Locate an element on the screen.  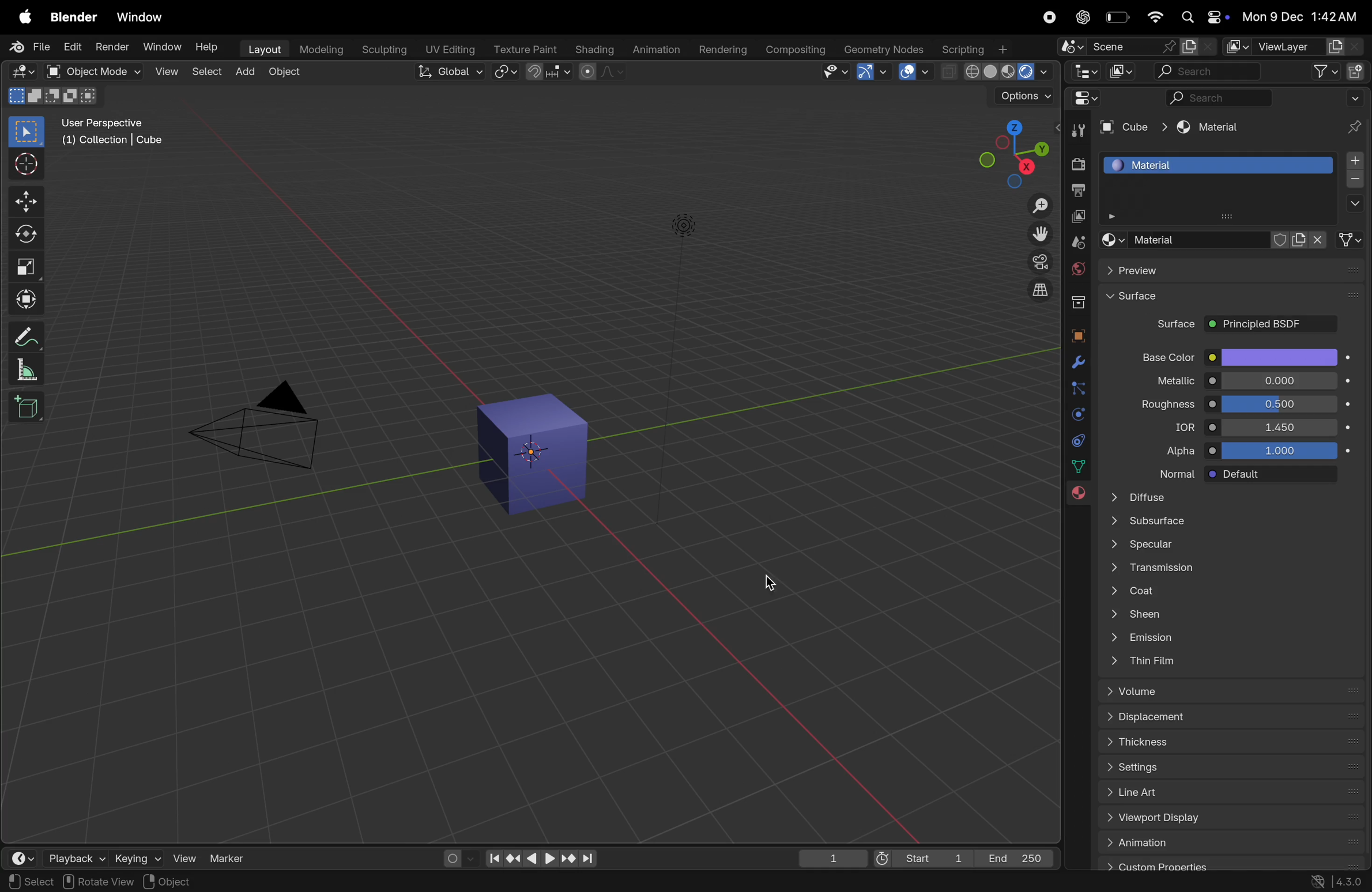
toggle camera is located at coordinates (1038, 262).